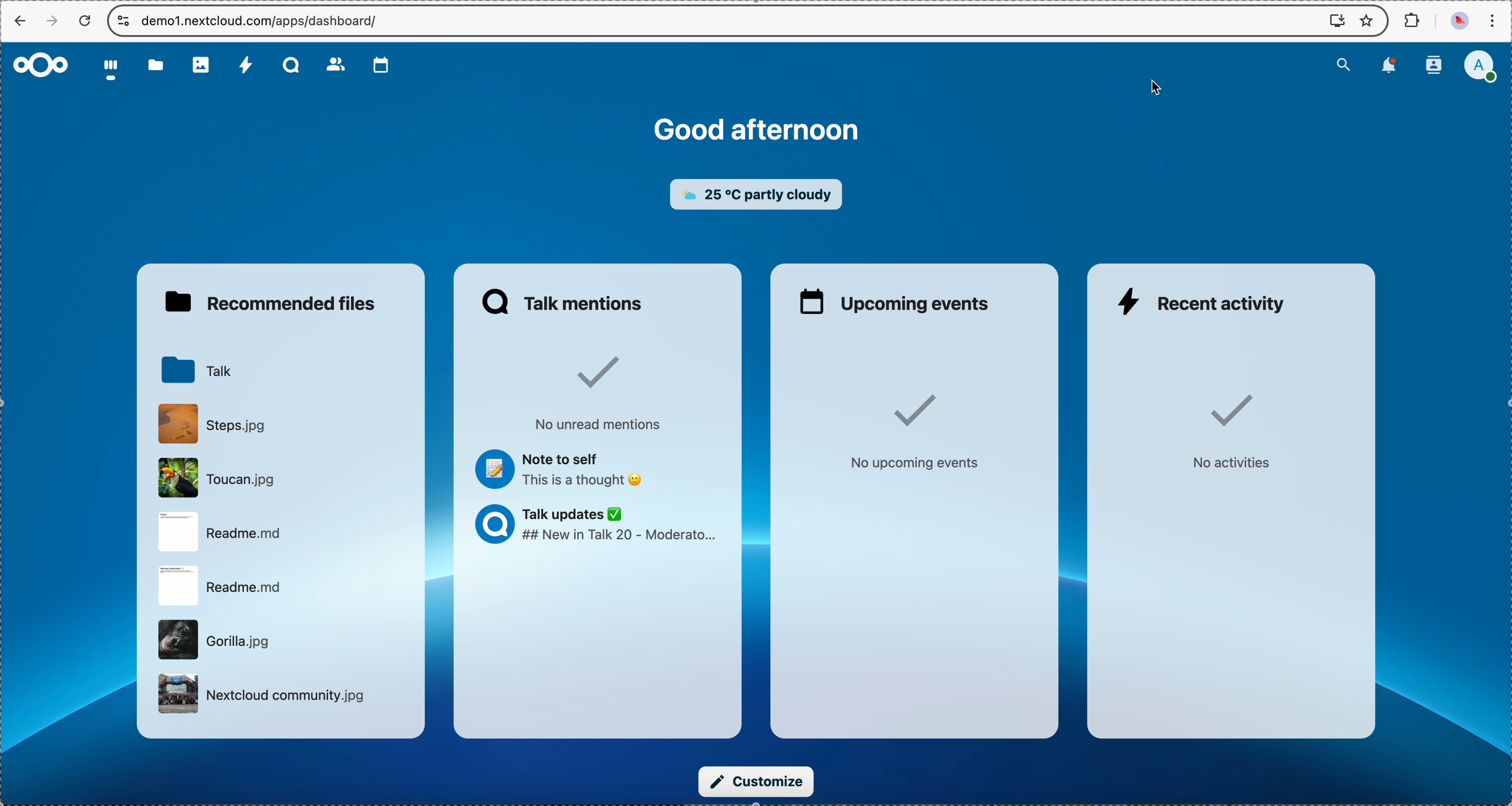  I want to click on recent activity, so click(1210, 301).